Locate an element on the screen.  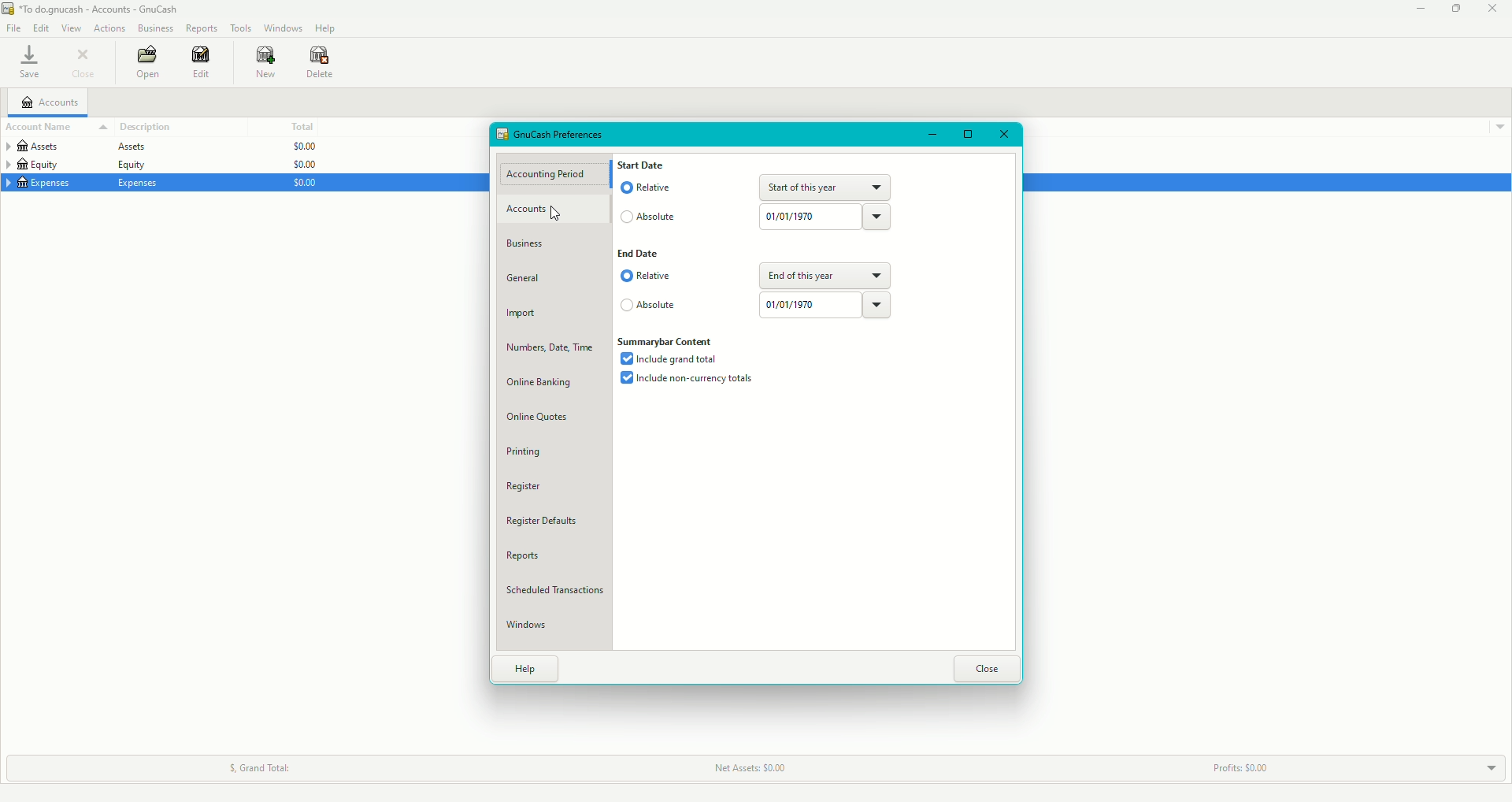
Numbers, Date, Time is located at coordinates (547, 351).